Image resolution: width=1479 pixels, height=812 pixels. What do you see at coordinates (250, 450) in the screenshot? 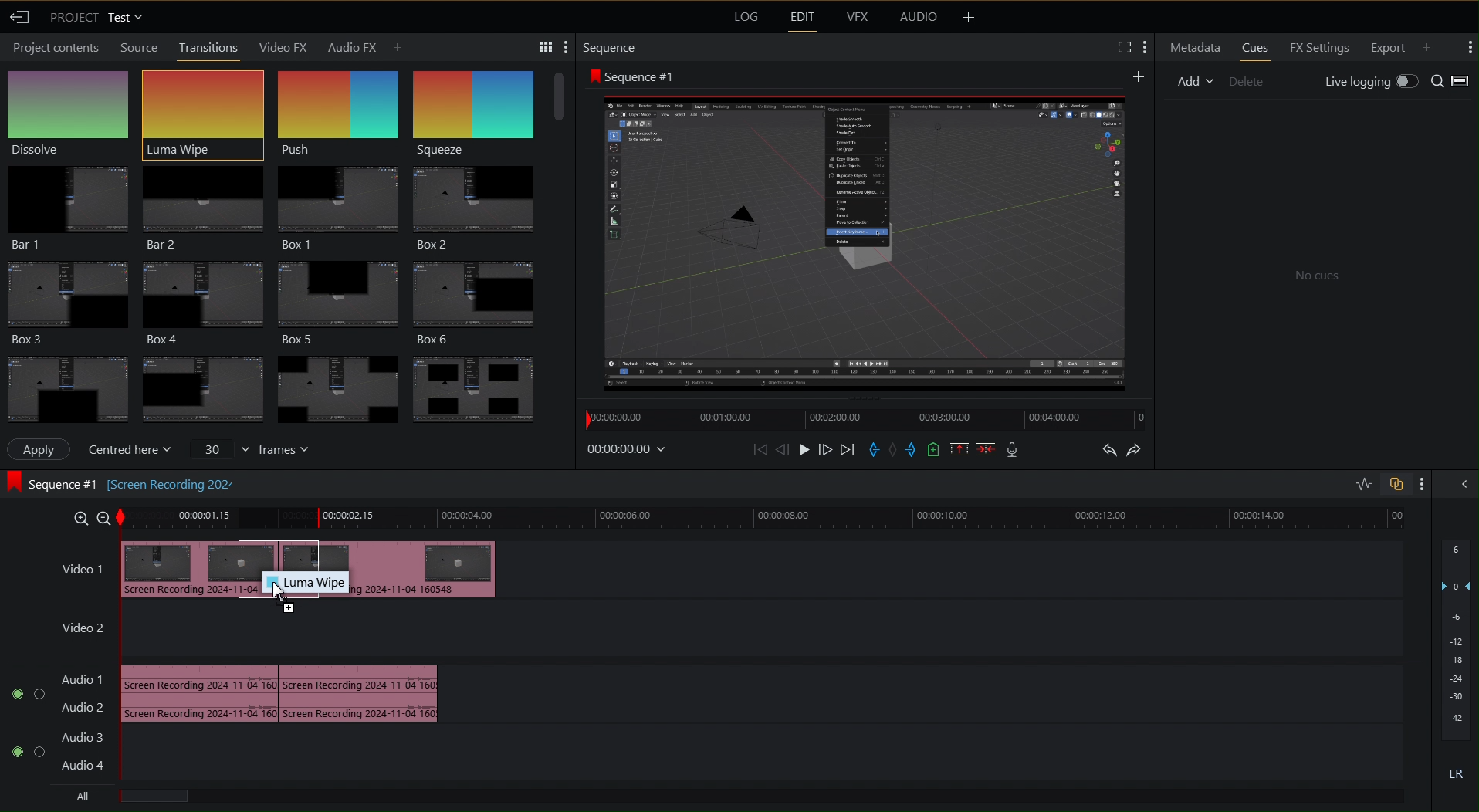
I see `frames` at bounding box center [250, 450].